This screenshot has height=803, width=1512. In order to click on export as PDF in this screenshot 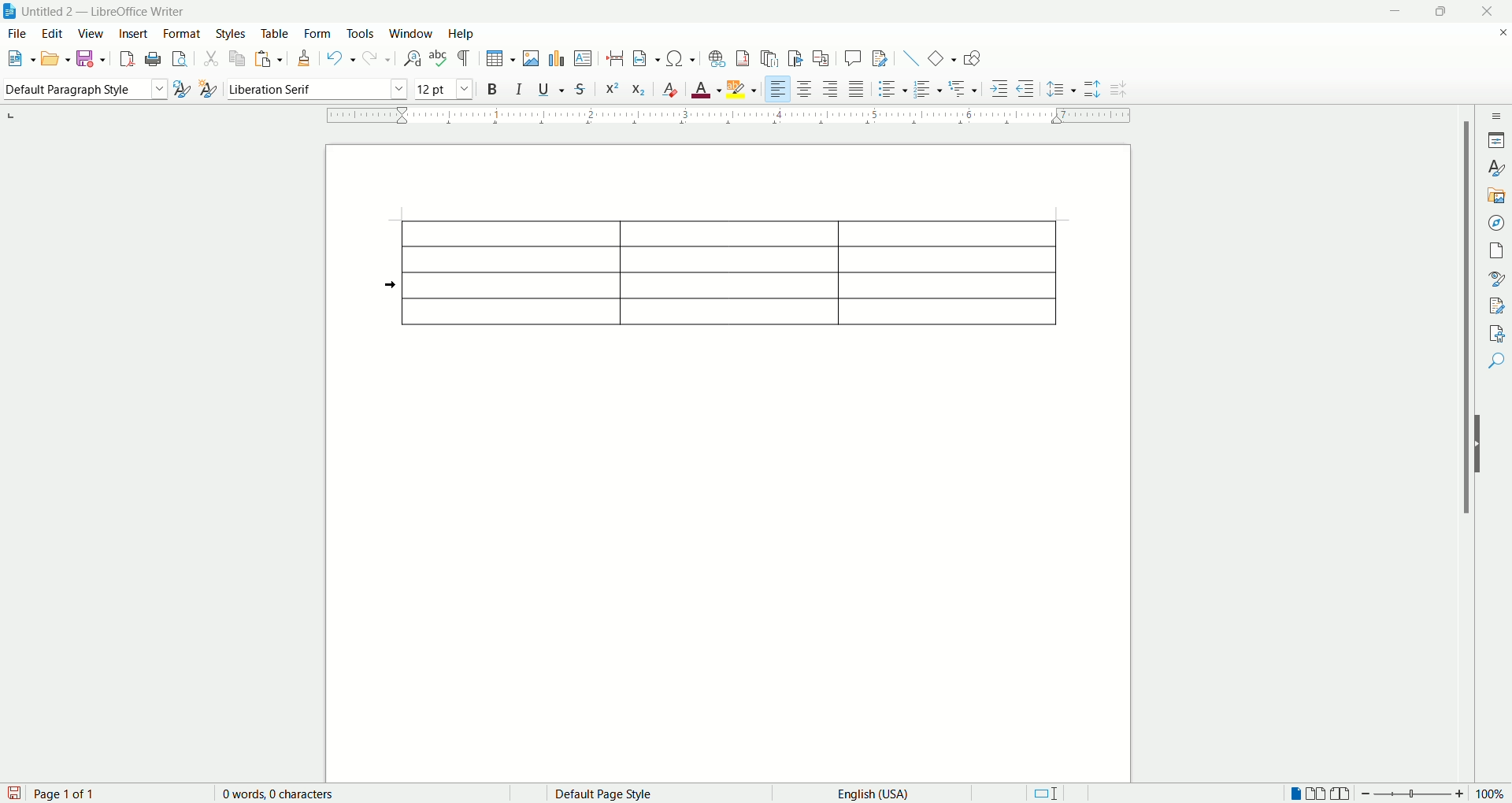, I will do `click(128, 58)`.